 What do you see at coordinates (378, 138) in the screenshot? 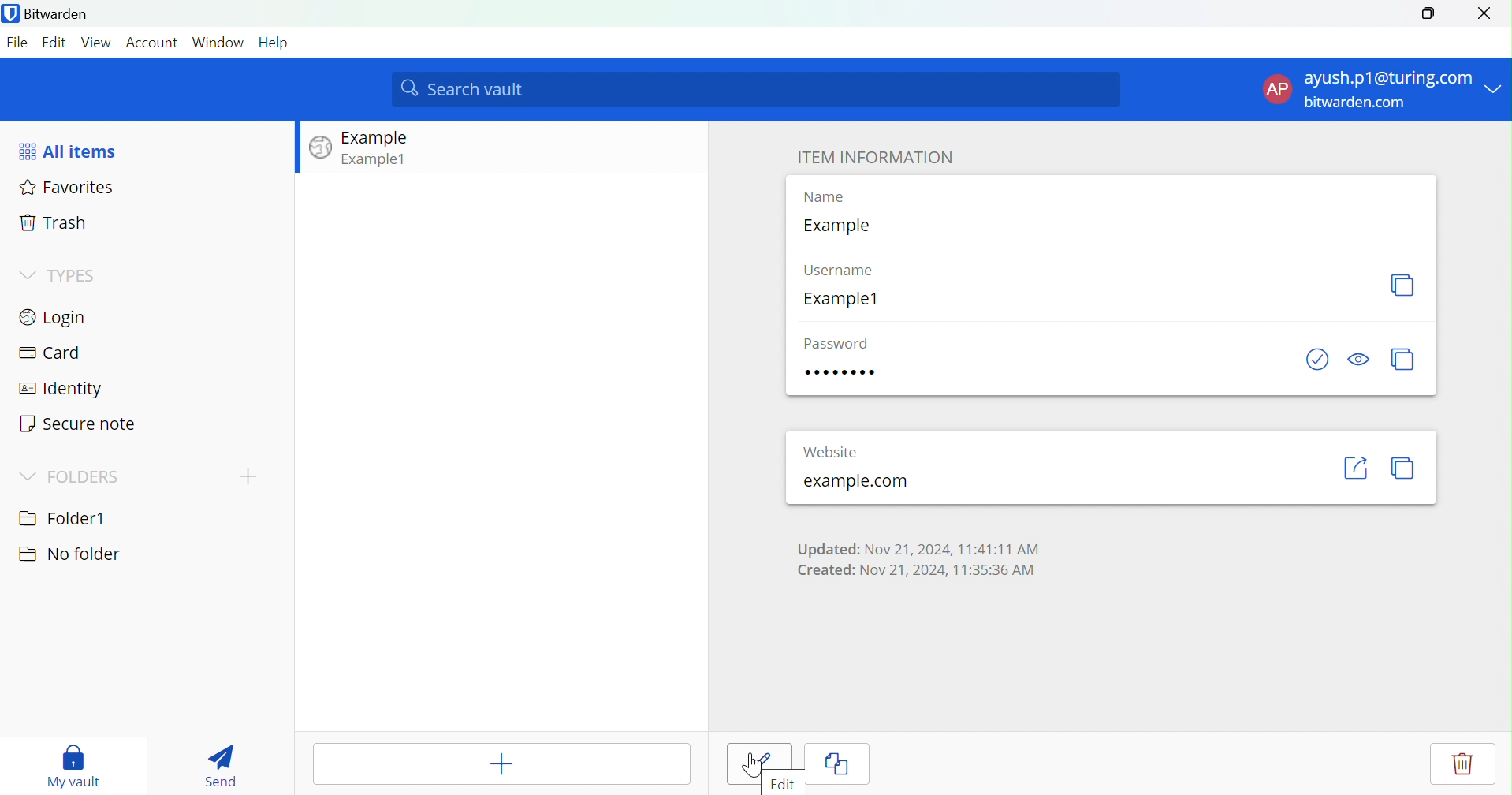
I see `Example` at bounding box center [378, 138].